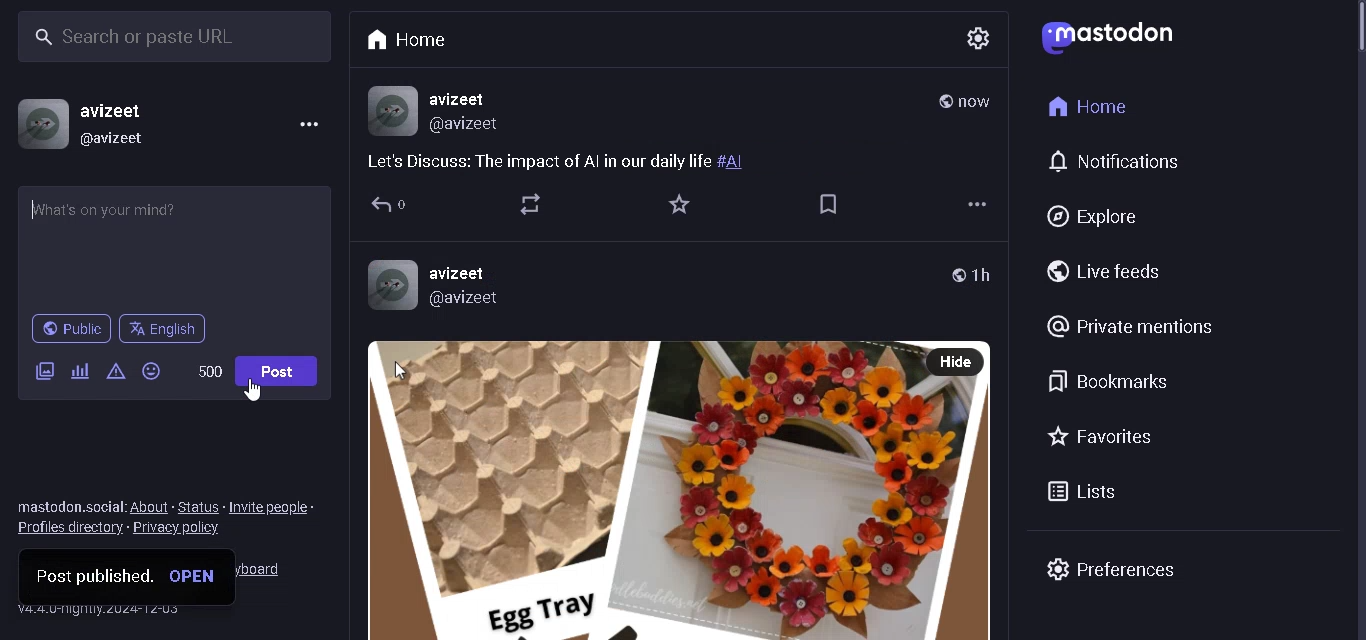 This screenshot has width=1366, height=640. Describe the element at coordinates (941, 102) in the screenshot. I see `PUBLIC POST` at that location.